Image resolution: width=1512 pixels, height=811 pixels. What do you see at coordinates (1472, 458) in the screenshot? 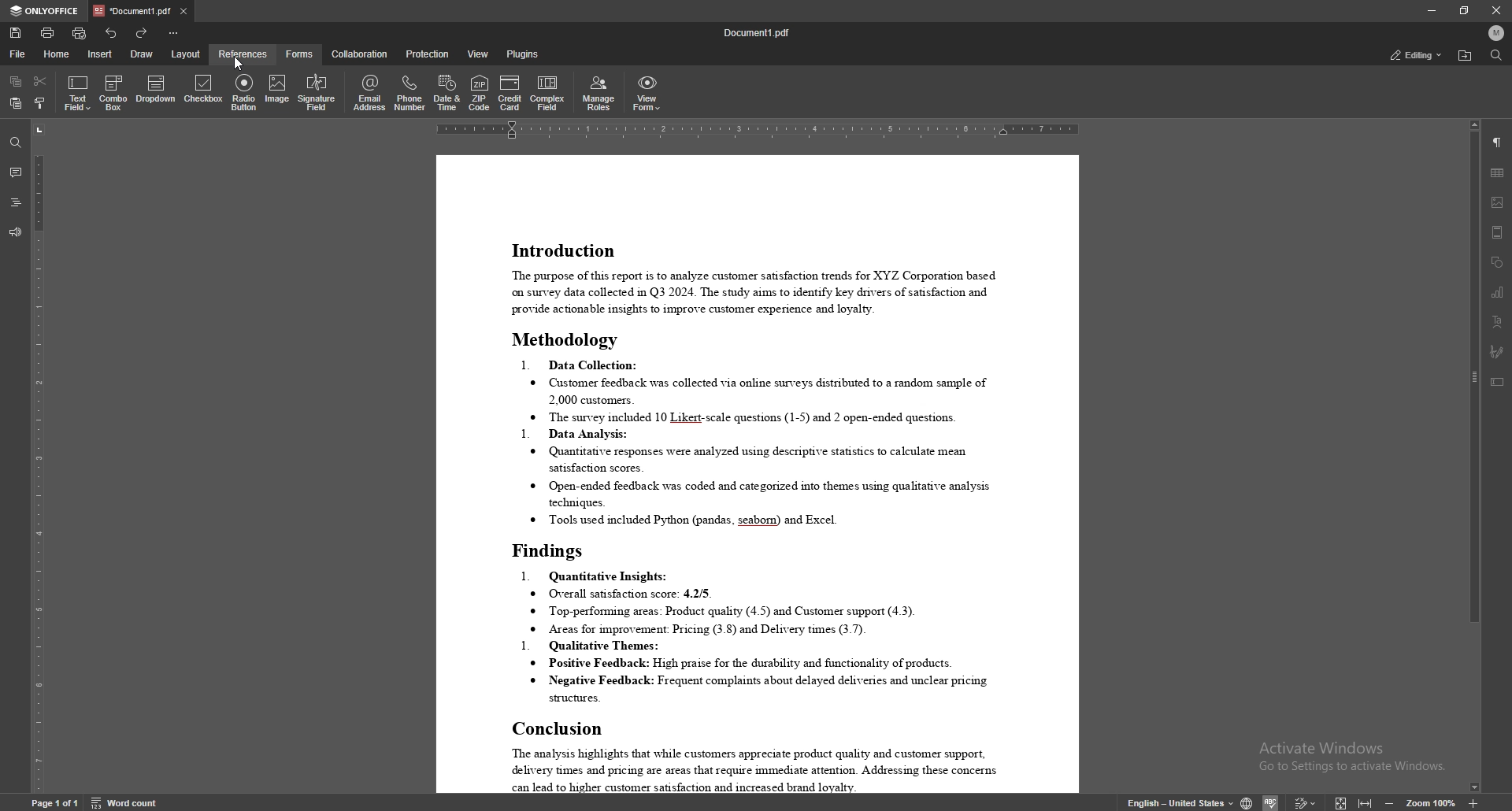
I see `scroll bar` at bounding box center [1472, 458].